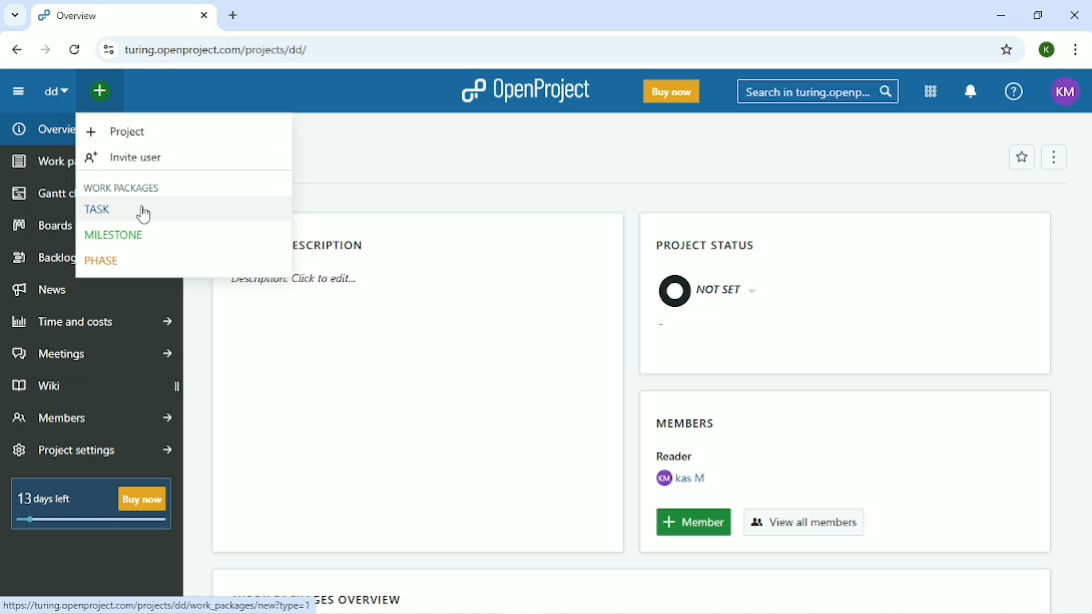 This screenshot has height=614, width=1092. I want to click on Minimize, so click(1001, 15).